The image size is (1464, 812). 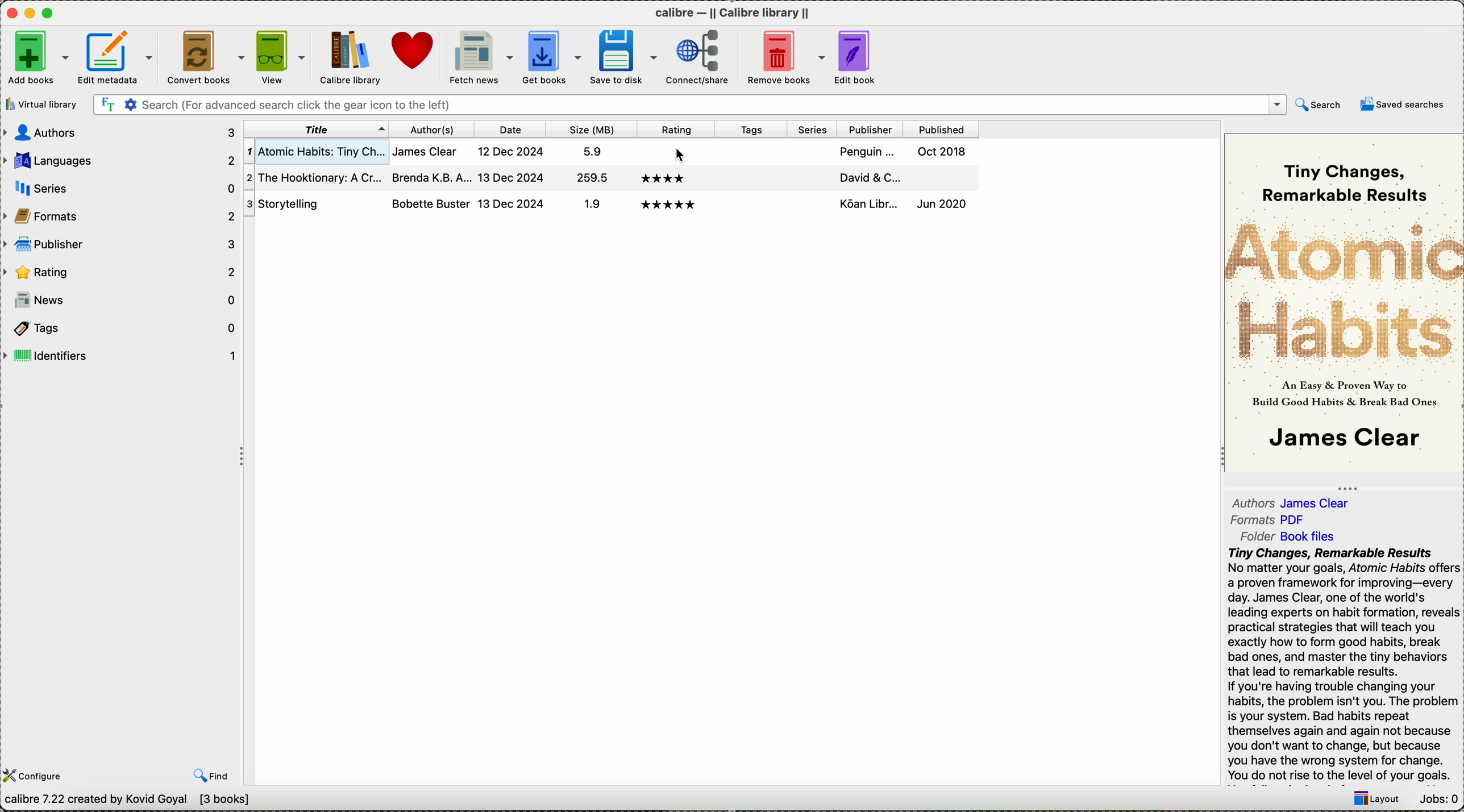 What do you see at coordinates (315, 152) in the screenshot?
I see `atomic habits : tiny ch...` at bounding box center [315, 152].